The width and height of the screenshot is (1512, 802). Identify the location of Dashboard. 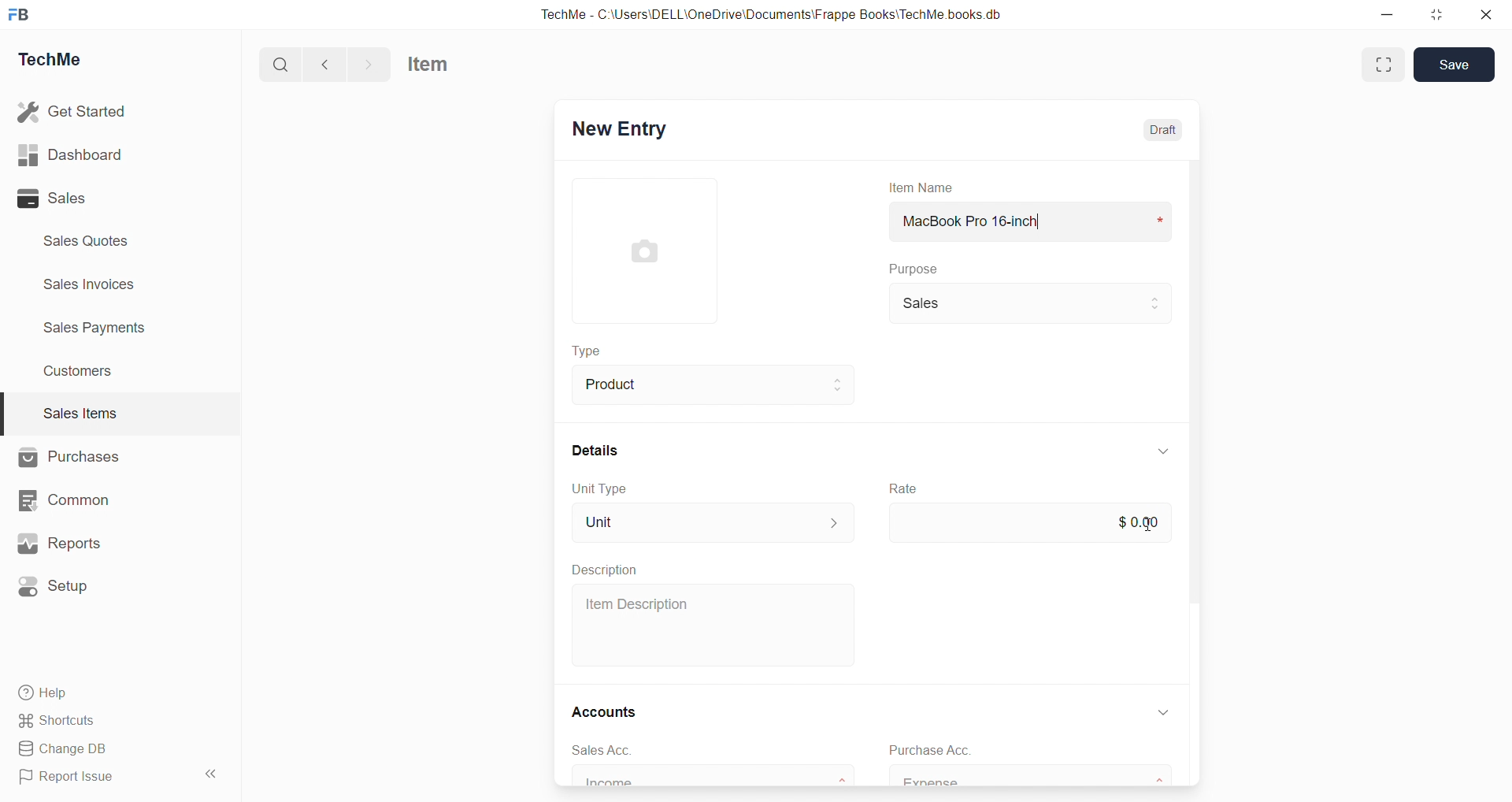
(71, 154).